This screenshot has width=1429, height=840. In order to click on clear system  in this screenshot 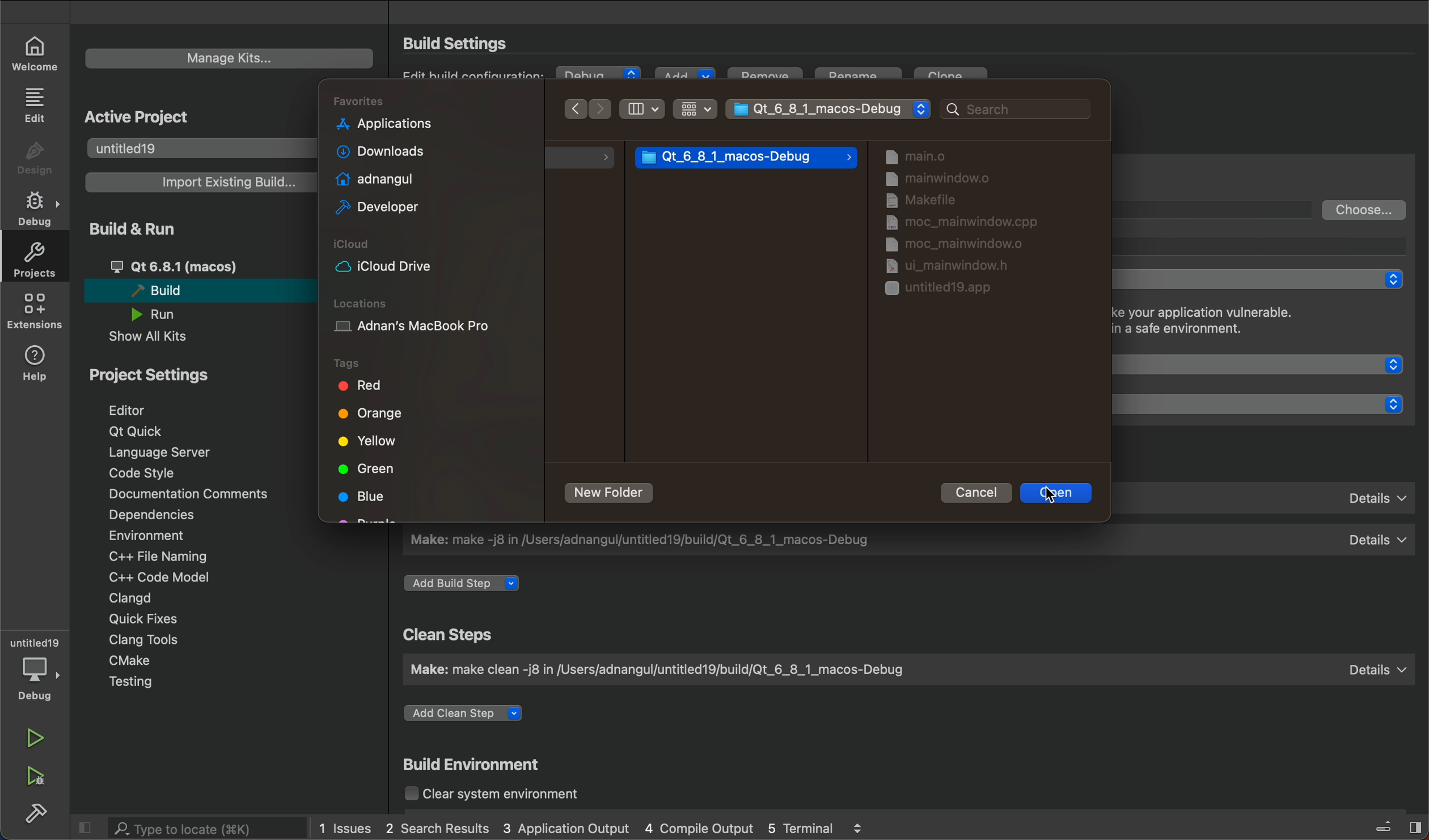, I will do `click(511, 795)`.